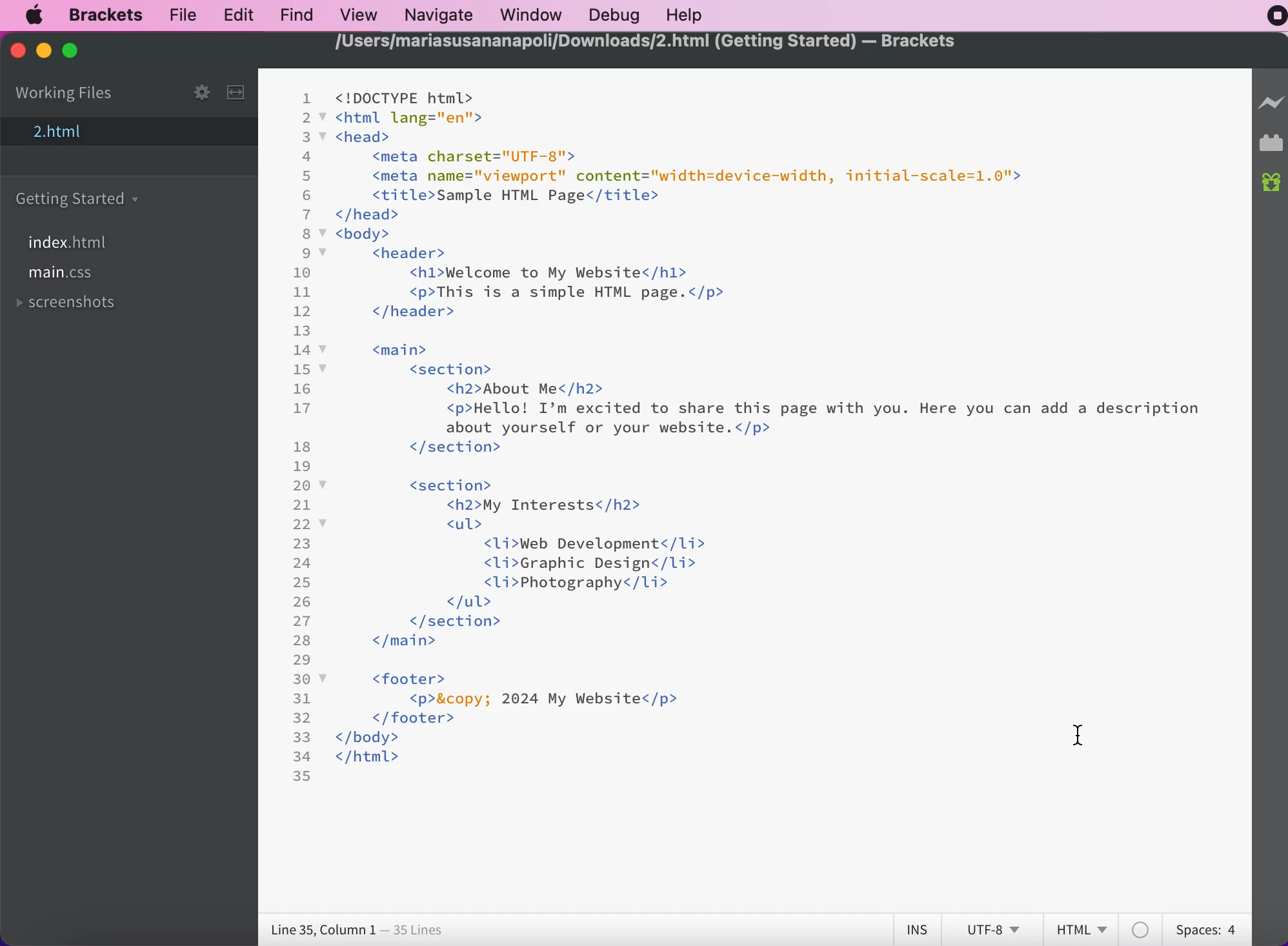 This screenshot has height=946, width=1288. I want to click on 14, so click(304, 350).